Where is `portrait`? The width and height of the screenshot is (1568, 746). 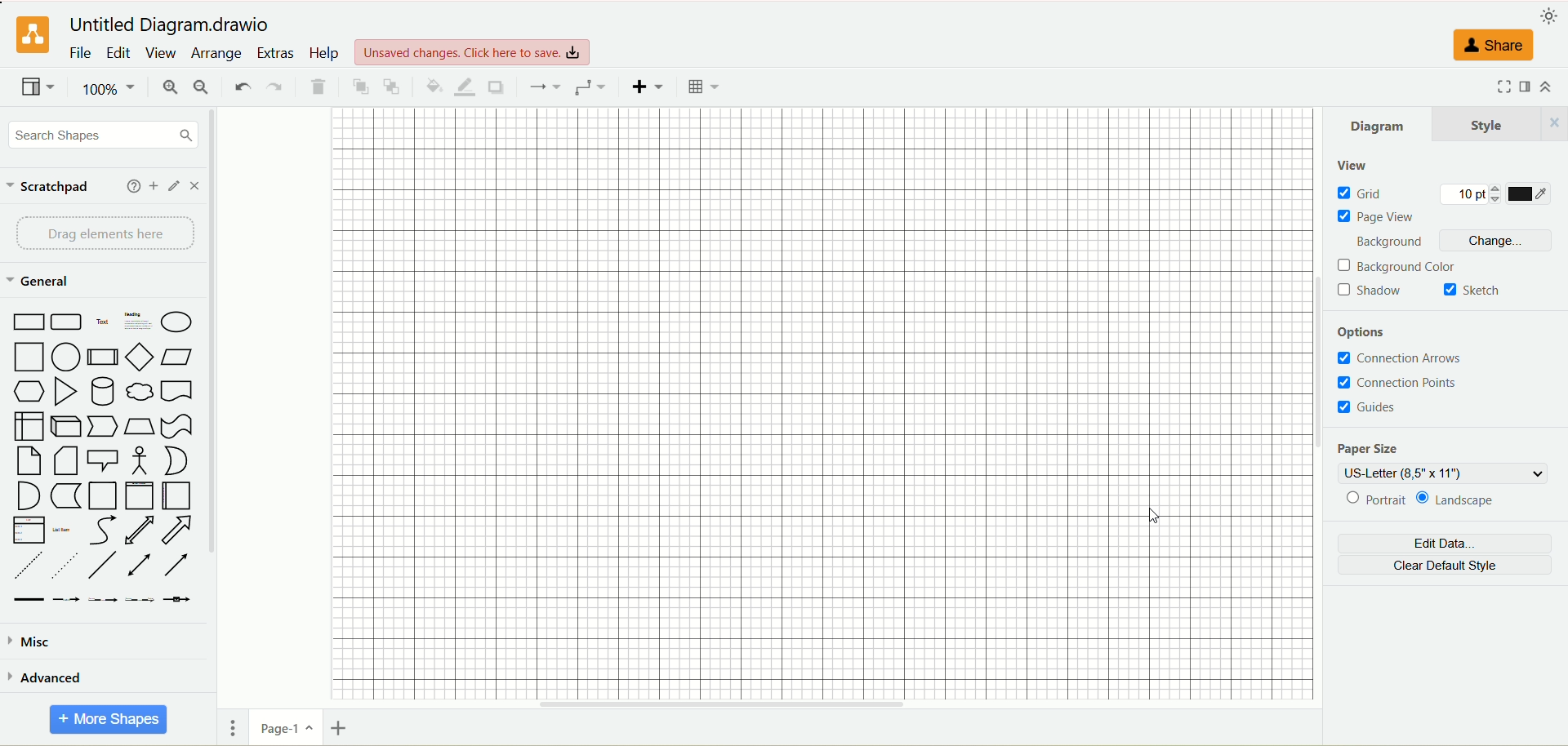 portrait is located at coordinates (1374, 501).